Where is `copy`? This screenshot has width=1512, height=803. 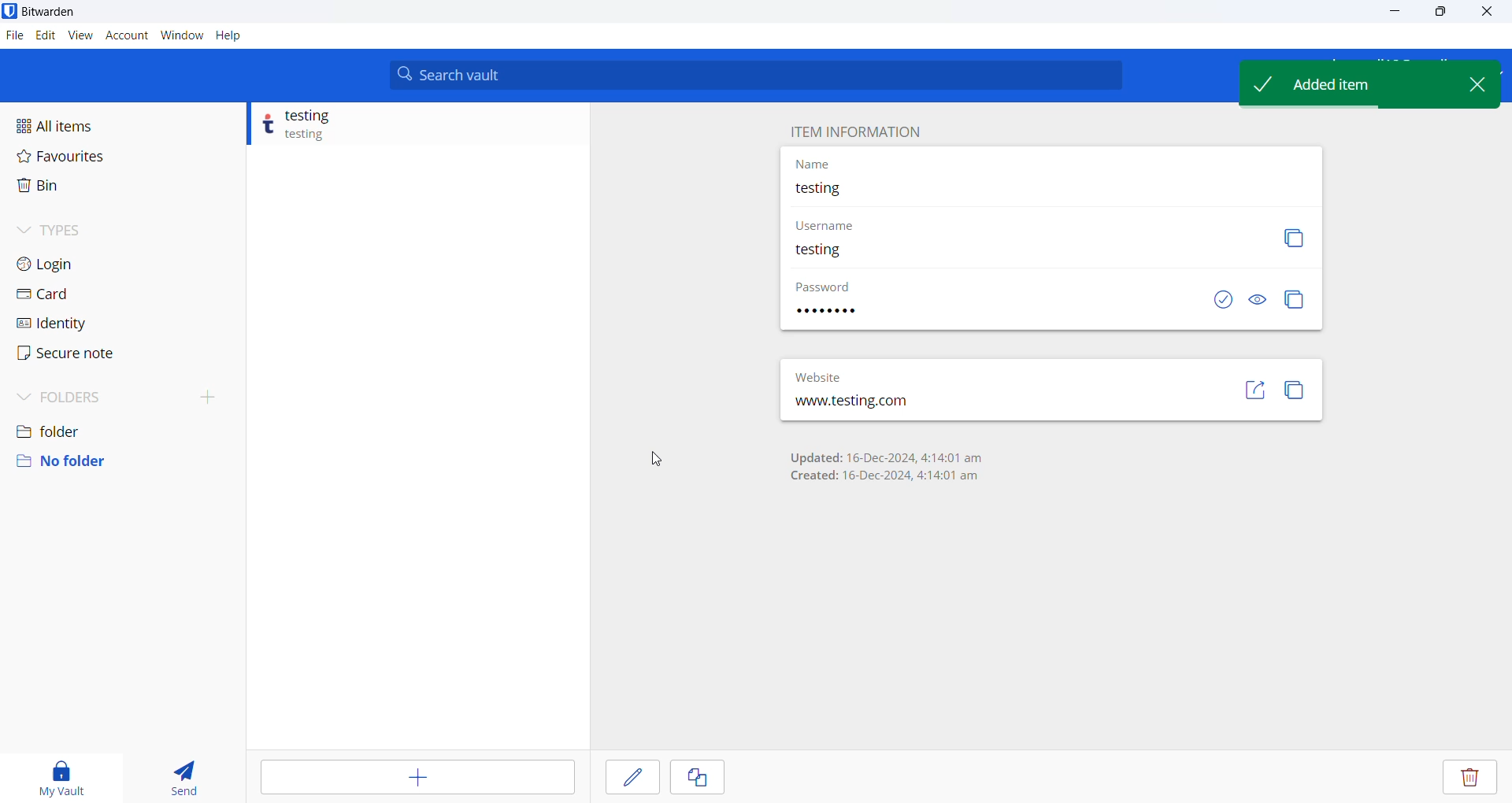
copy is located at coordinates (699, 779).